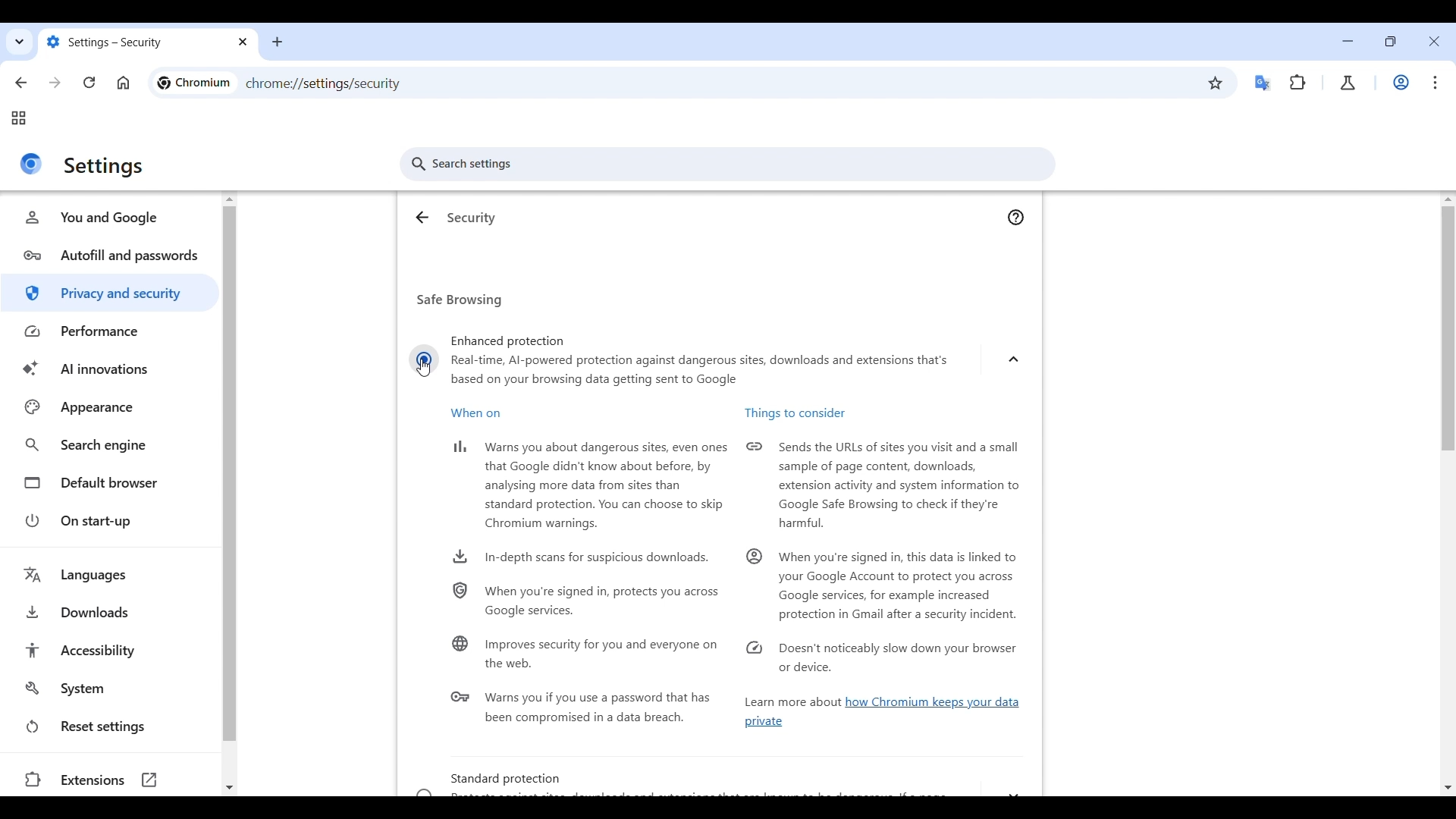 The image size is (1456, 819). What do you see at coordinates (111, 445) in the screenshot?
I see `Search engine` at bounding box center [111, 445].